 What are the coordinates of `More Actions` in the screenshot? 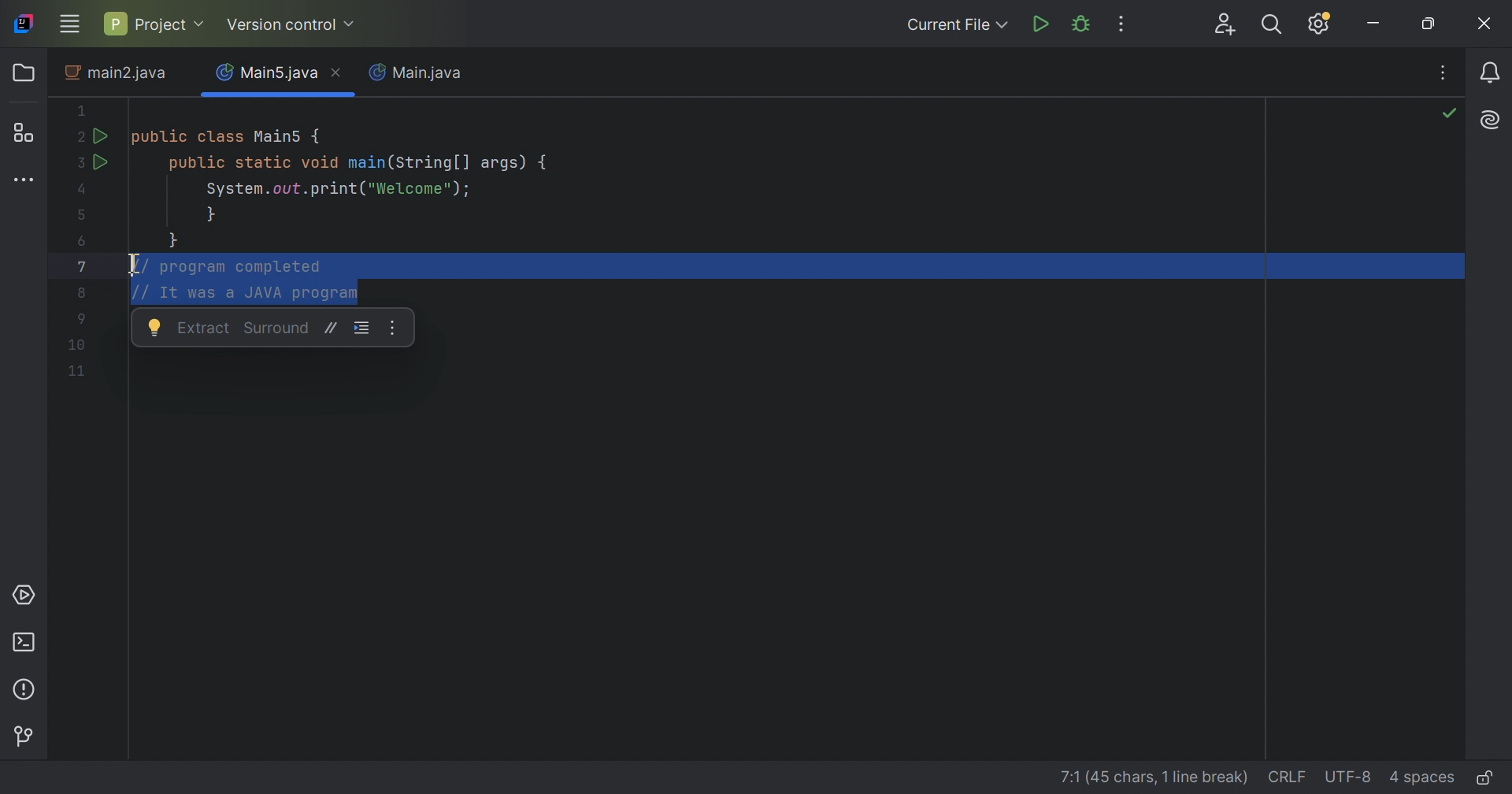 It's located at (1123, 24).